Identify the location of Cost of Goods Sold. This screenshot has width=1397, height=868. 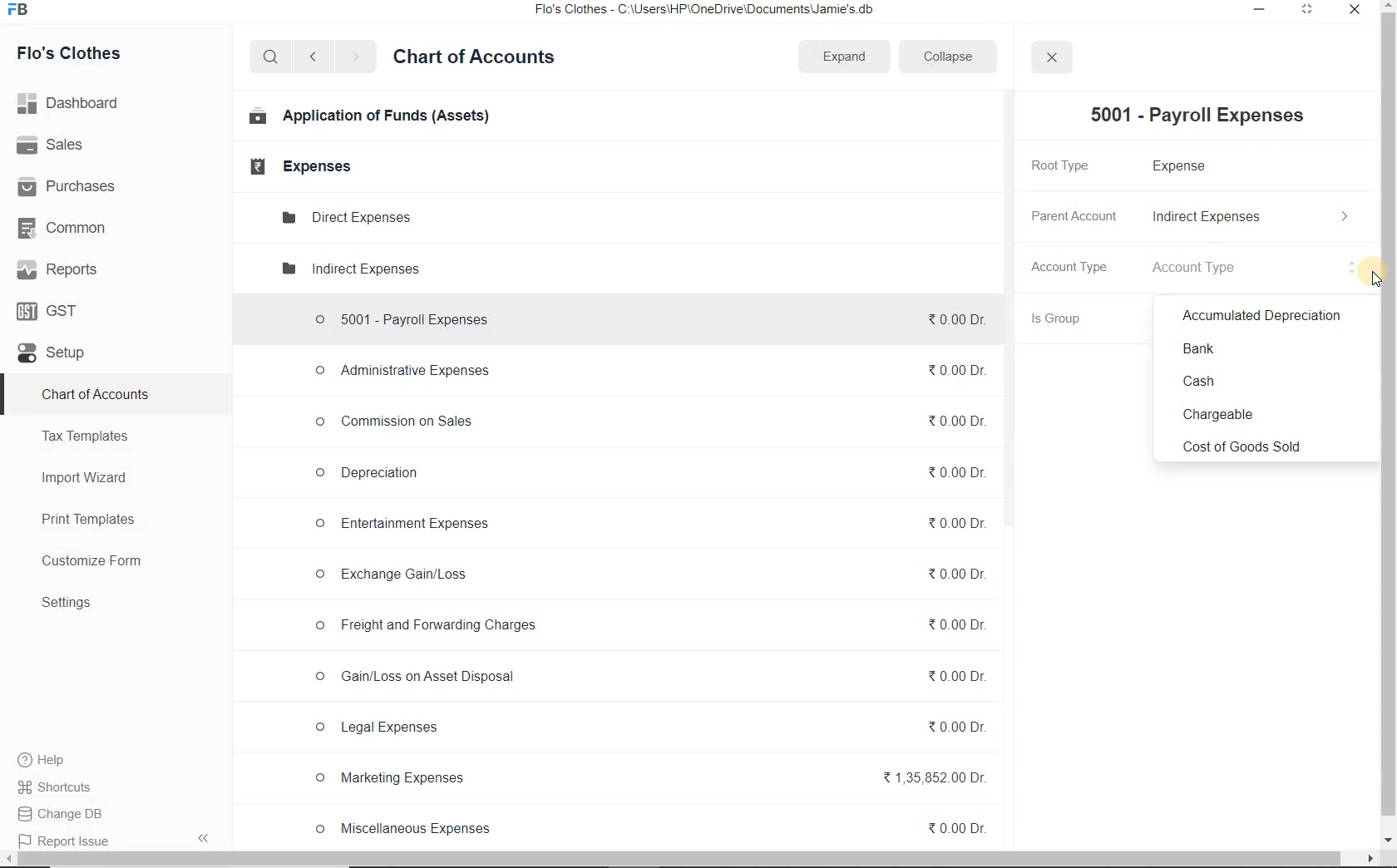
(1247, 446).